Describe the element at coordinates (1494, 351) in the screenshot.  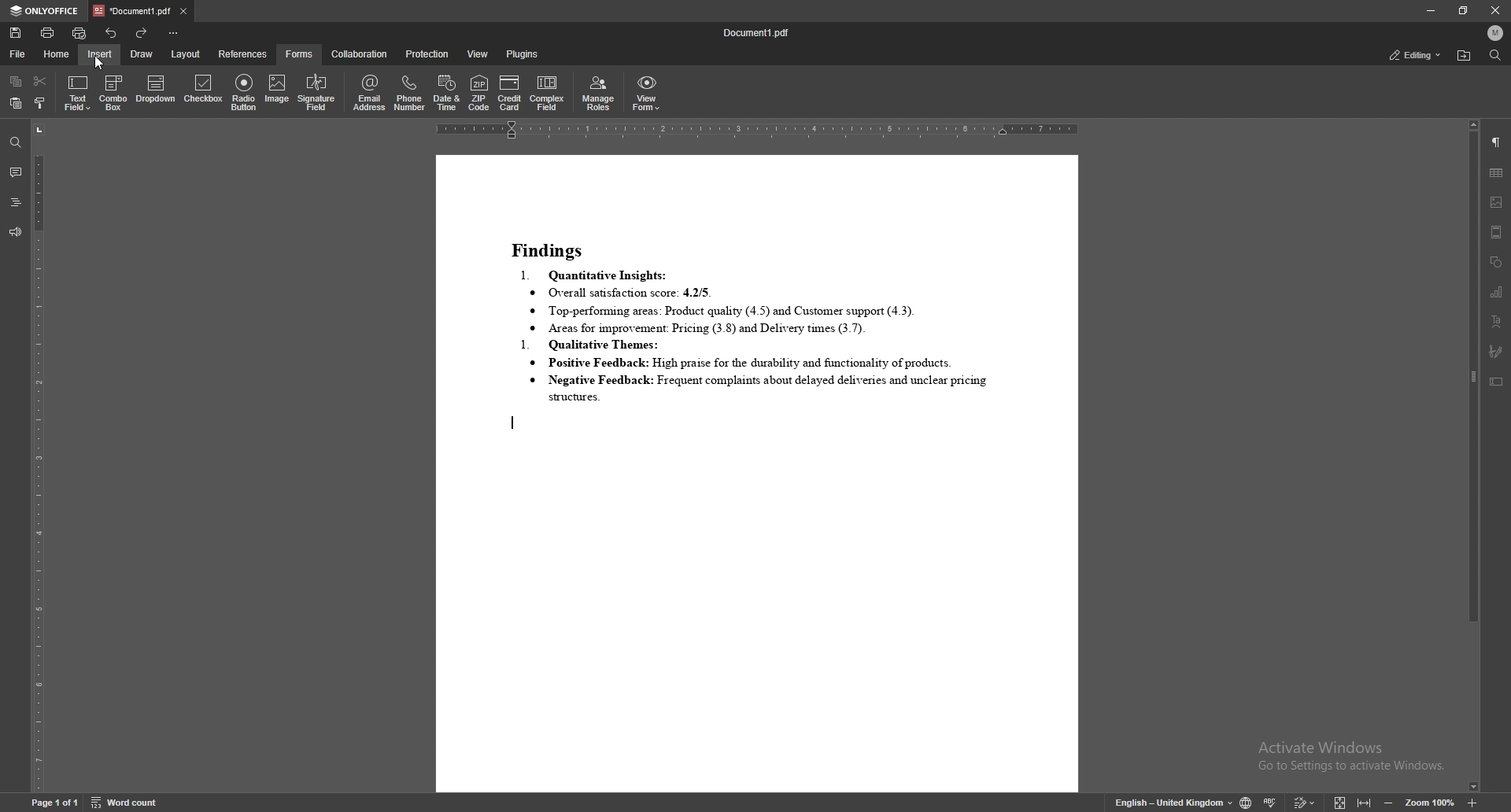
I see `signature field` at that location.